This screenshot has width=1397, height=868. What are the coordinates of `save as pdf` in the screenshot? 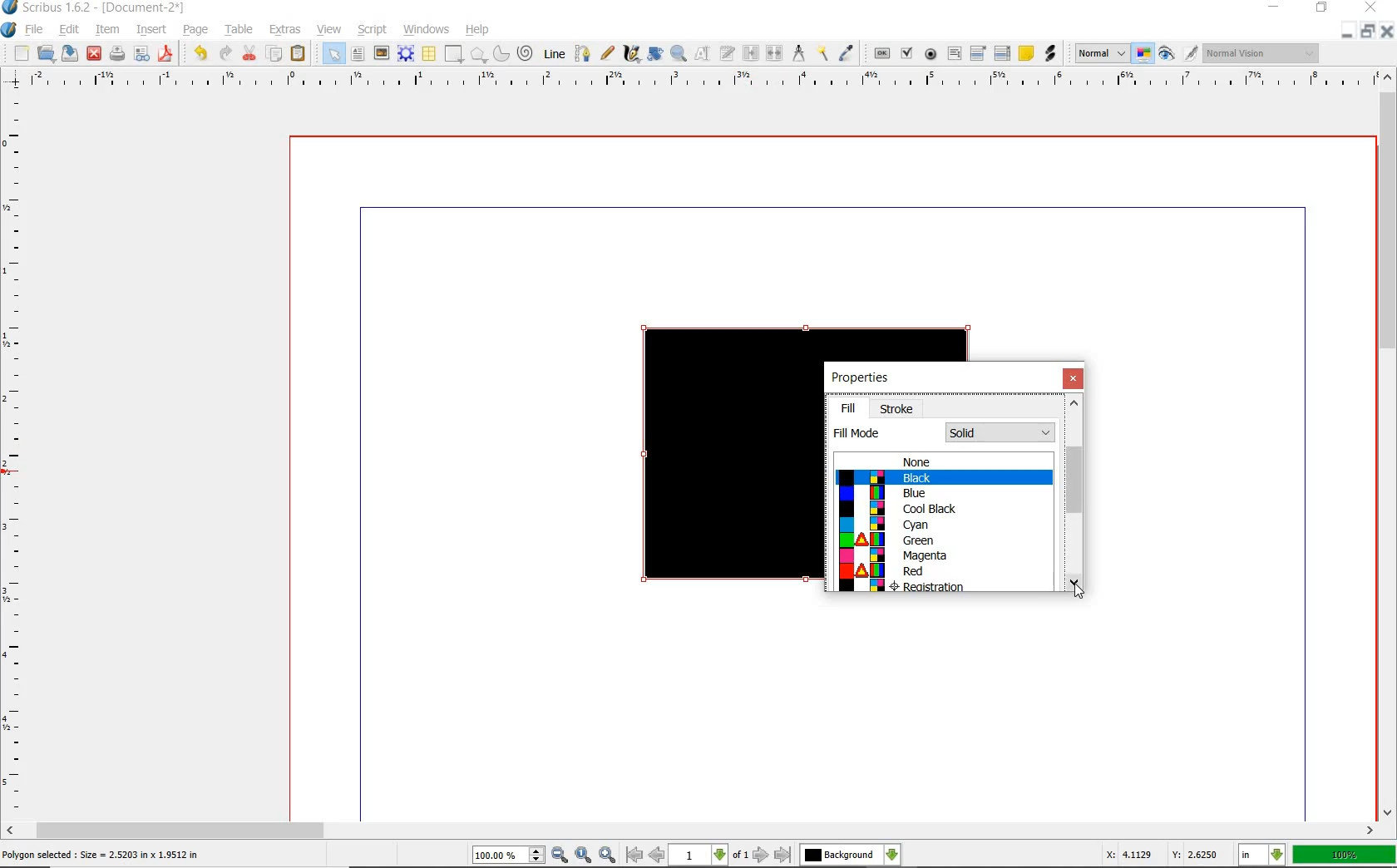 It's located at (167, 54).